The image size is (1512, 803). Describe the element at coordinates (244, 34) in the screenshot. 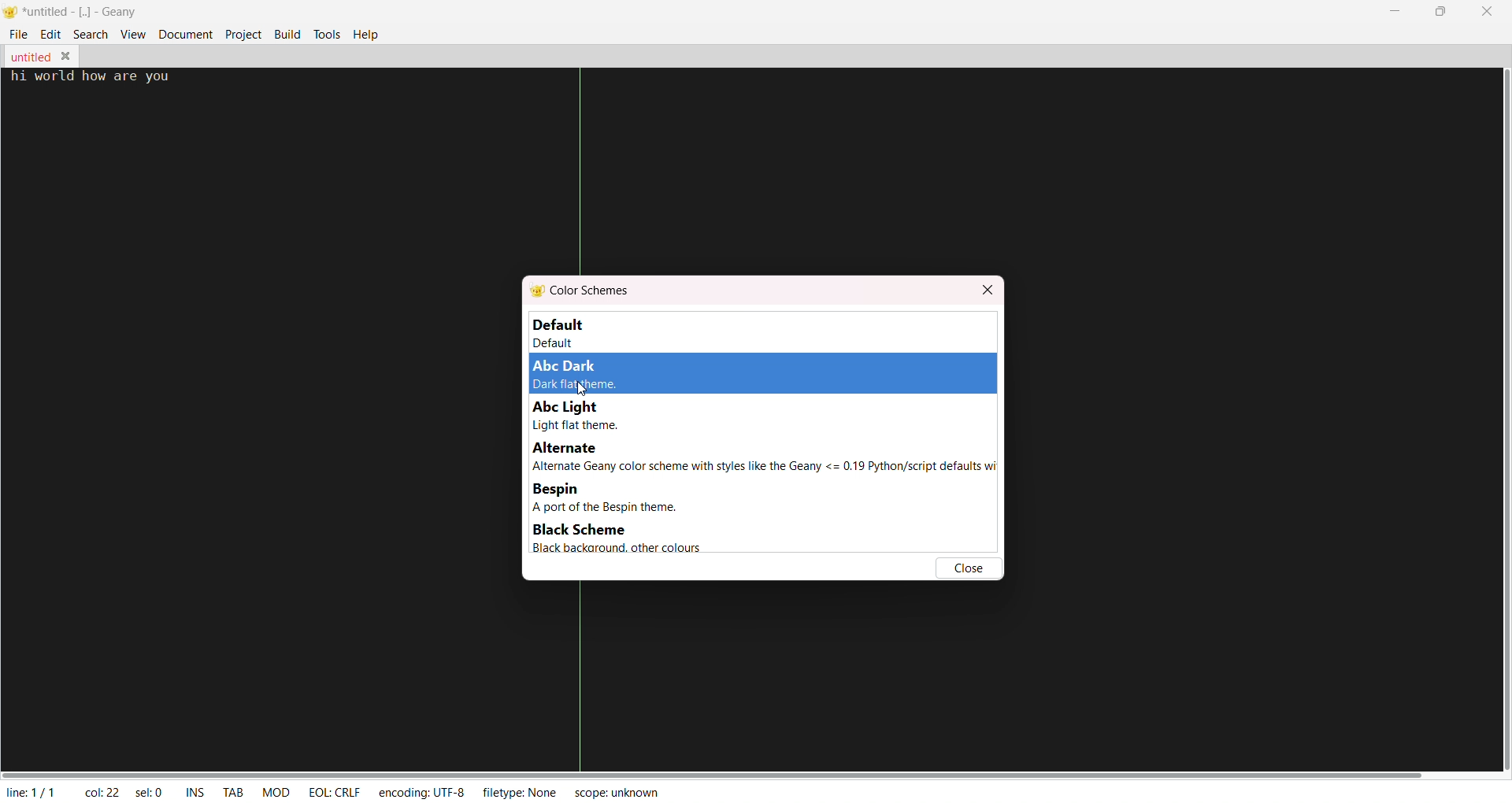

I see `project` at that location.